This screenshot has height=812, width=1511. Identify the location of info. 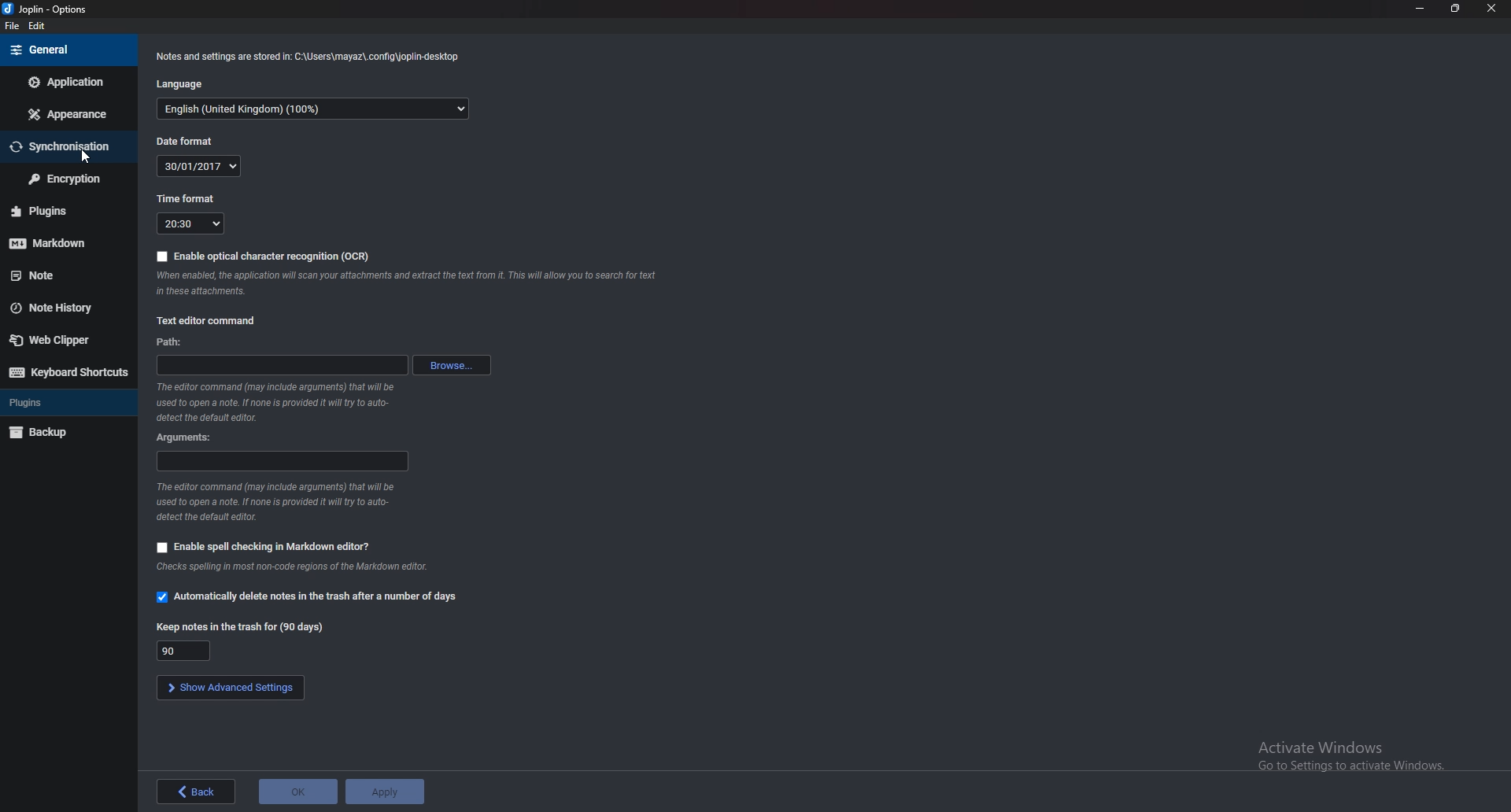
(405, 282).